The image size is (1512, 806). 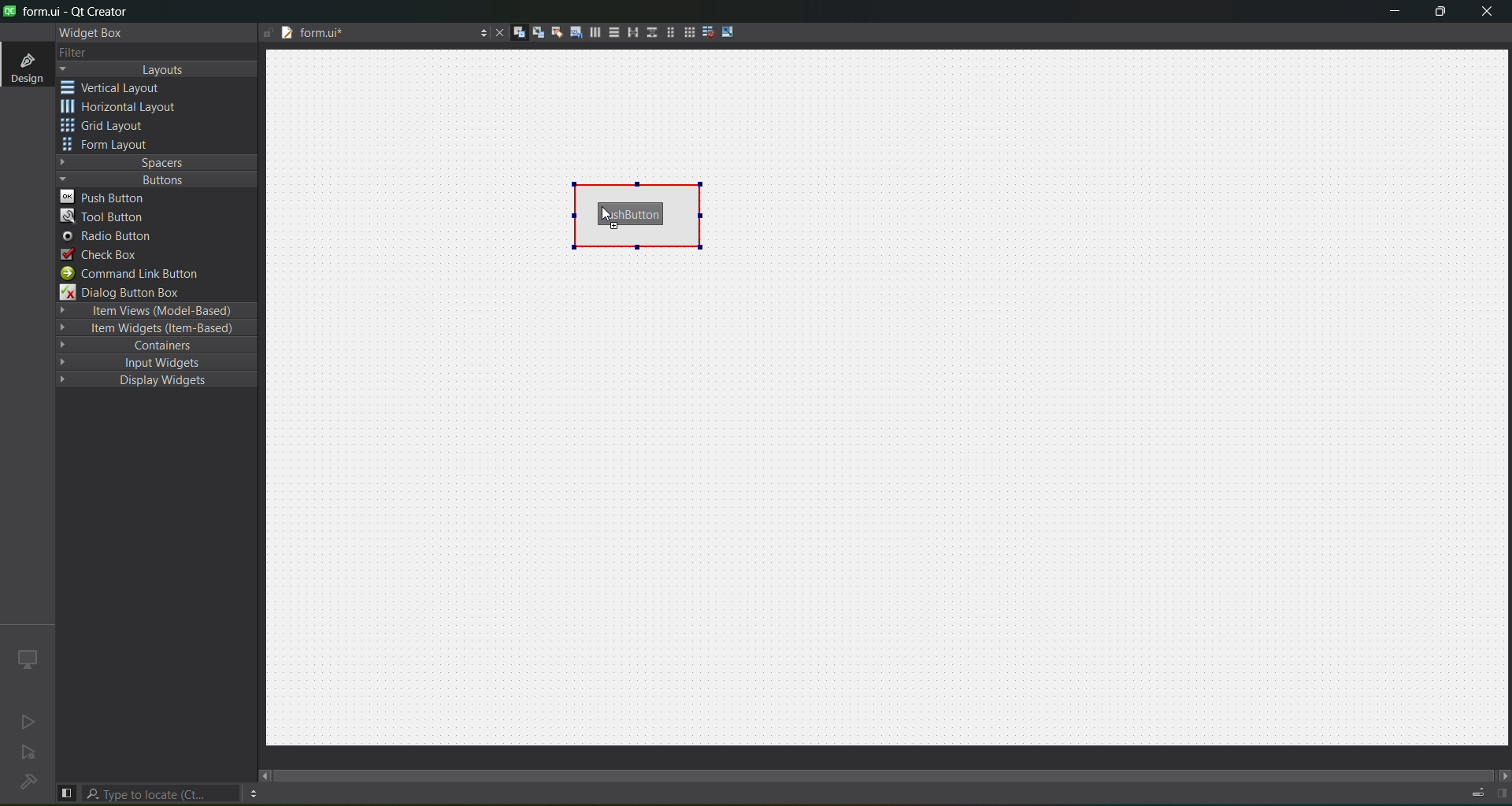 What do you see at coordinates (88, 32) in the screenshot?
I see `widget box` at bounding box center [88, 32].